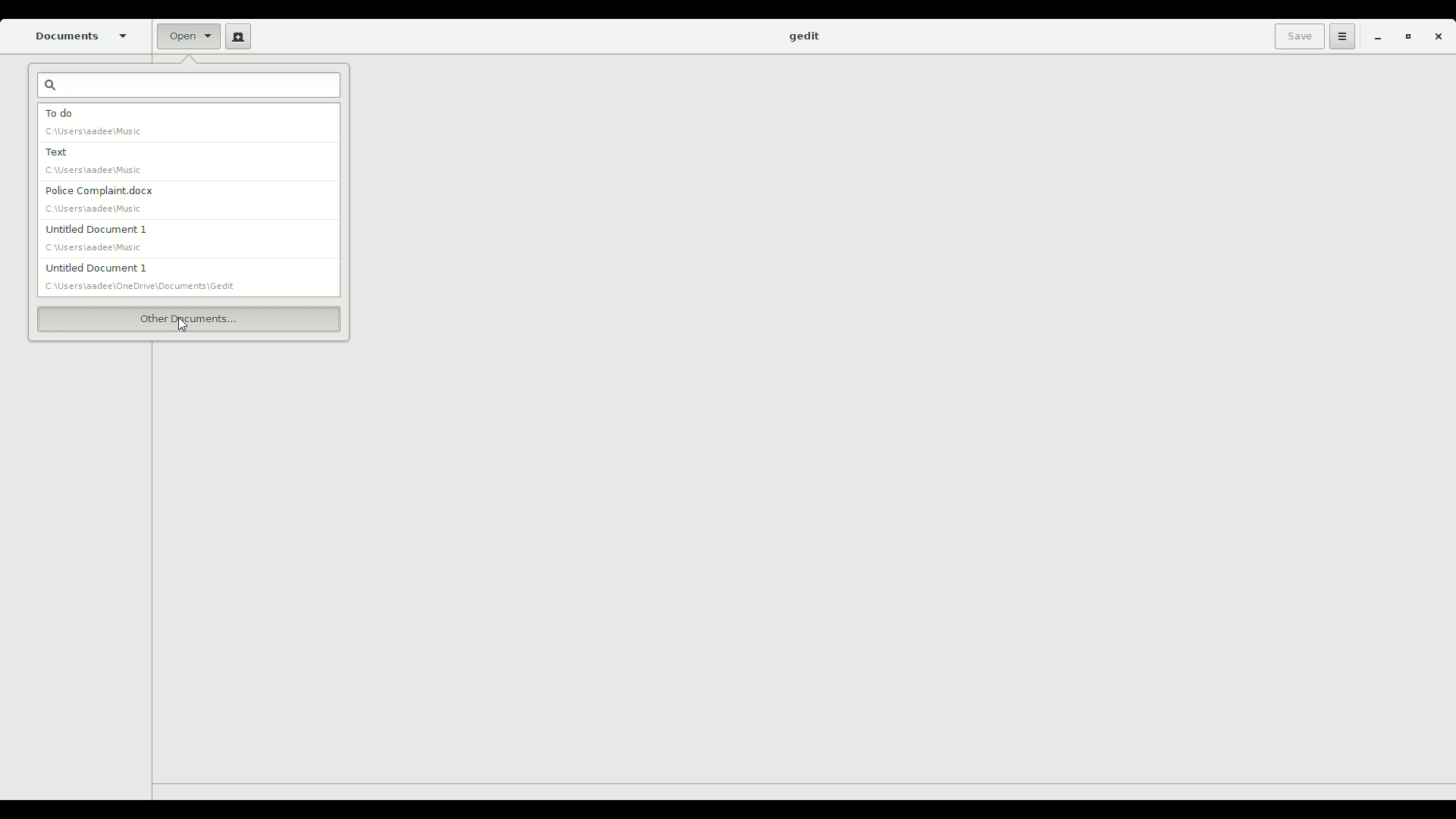  Describe the element at coordinates (182, 36) in the screenshot. I see `Open` at that location.